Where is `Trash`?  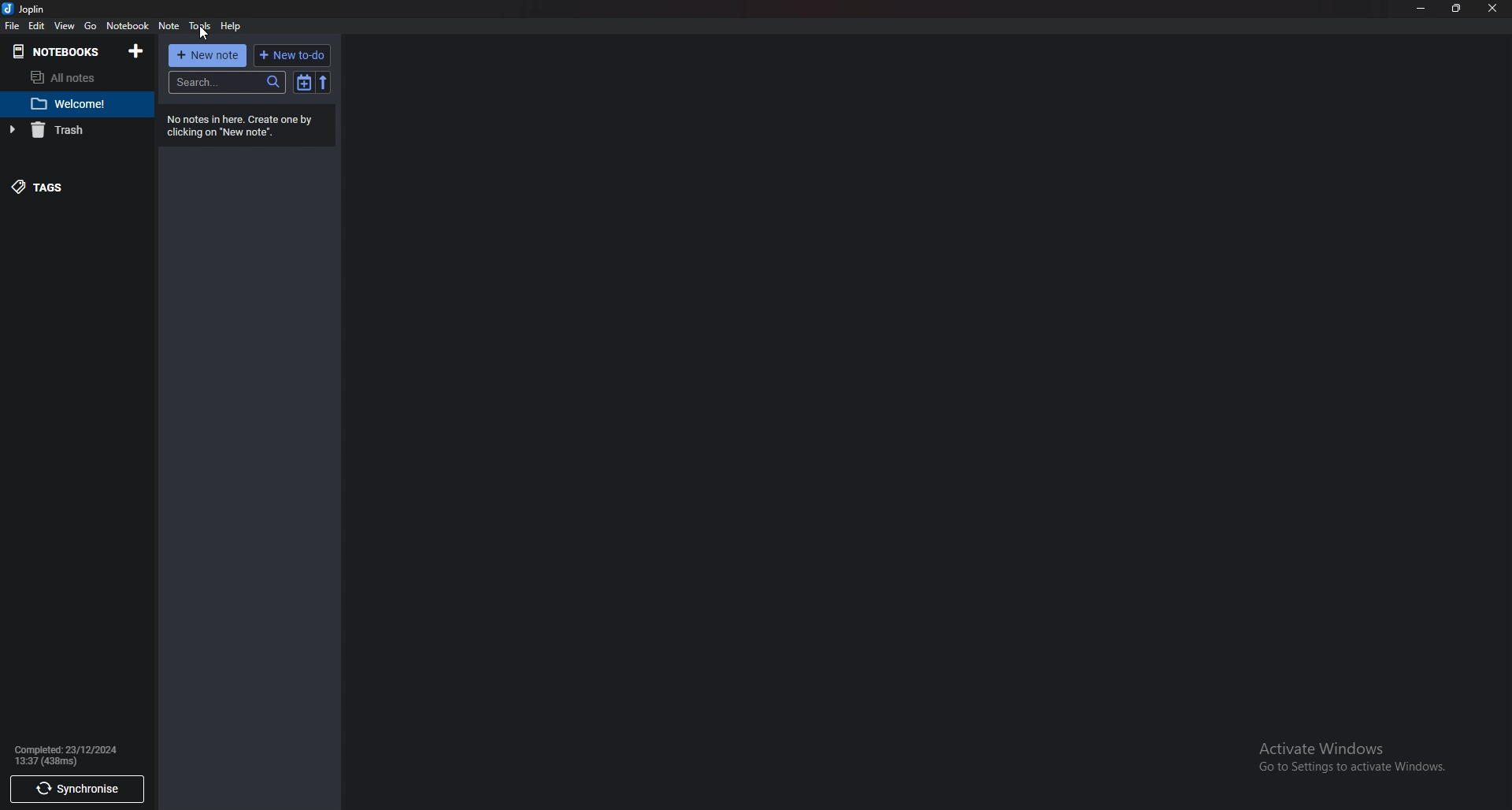 Trash is located at coordinates (66, 131).